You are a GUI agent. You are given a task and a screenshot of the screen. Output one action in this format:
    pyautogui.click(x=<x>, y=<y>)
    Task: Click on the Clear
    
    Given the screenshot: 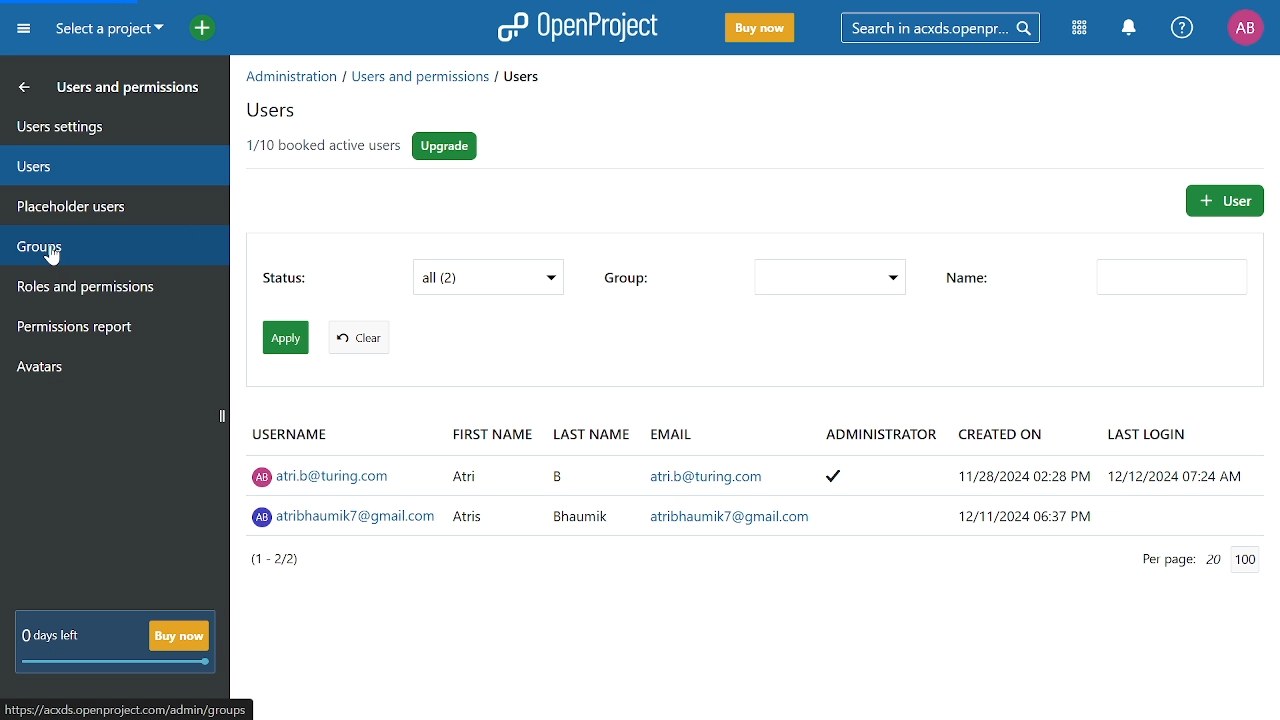 What is the action you would take?
    pyautogui.click(x=358, y=337)
    